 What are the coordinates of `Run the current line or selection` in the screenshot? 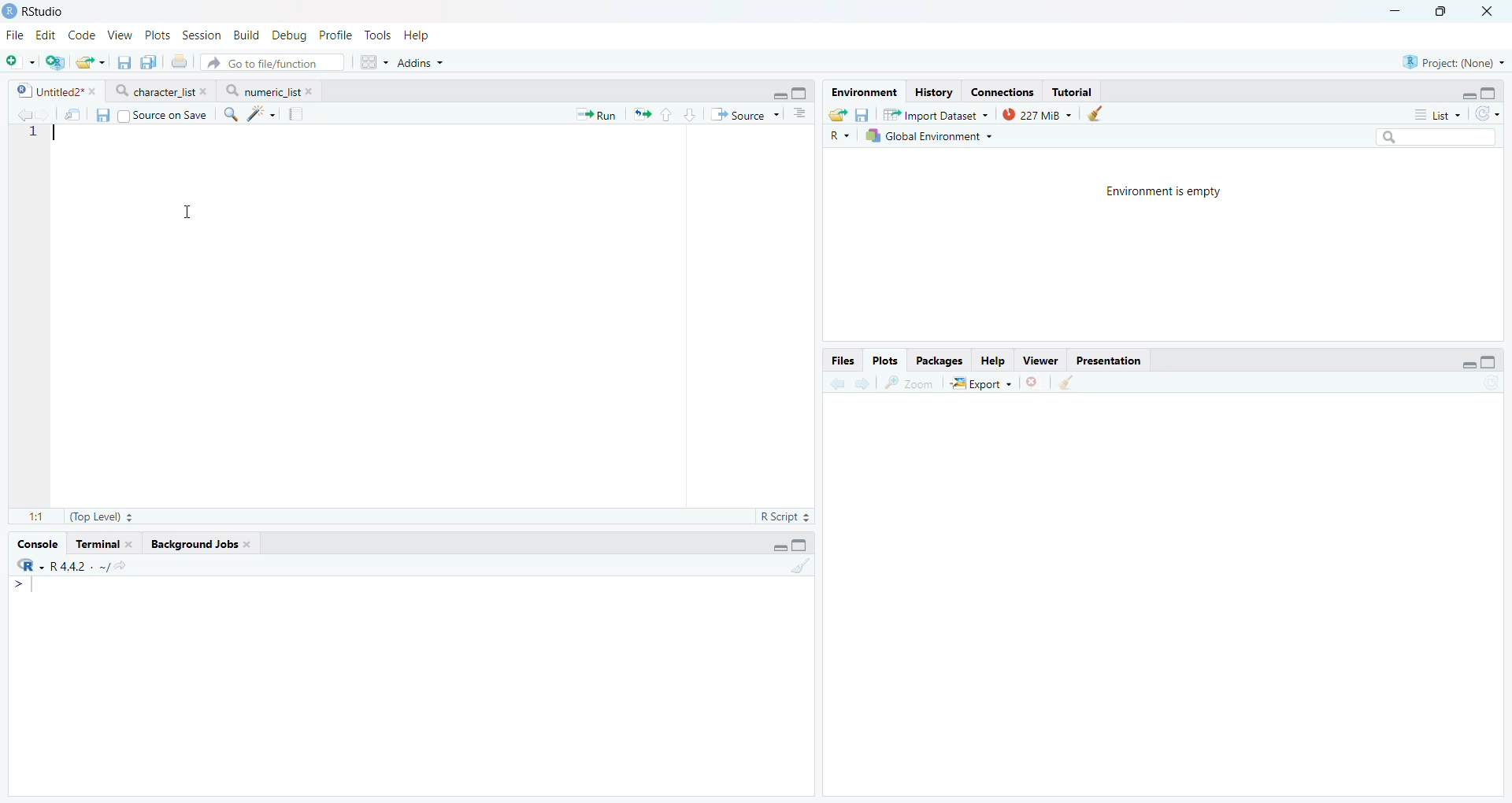 It's located at (596, 115).